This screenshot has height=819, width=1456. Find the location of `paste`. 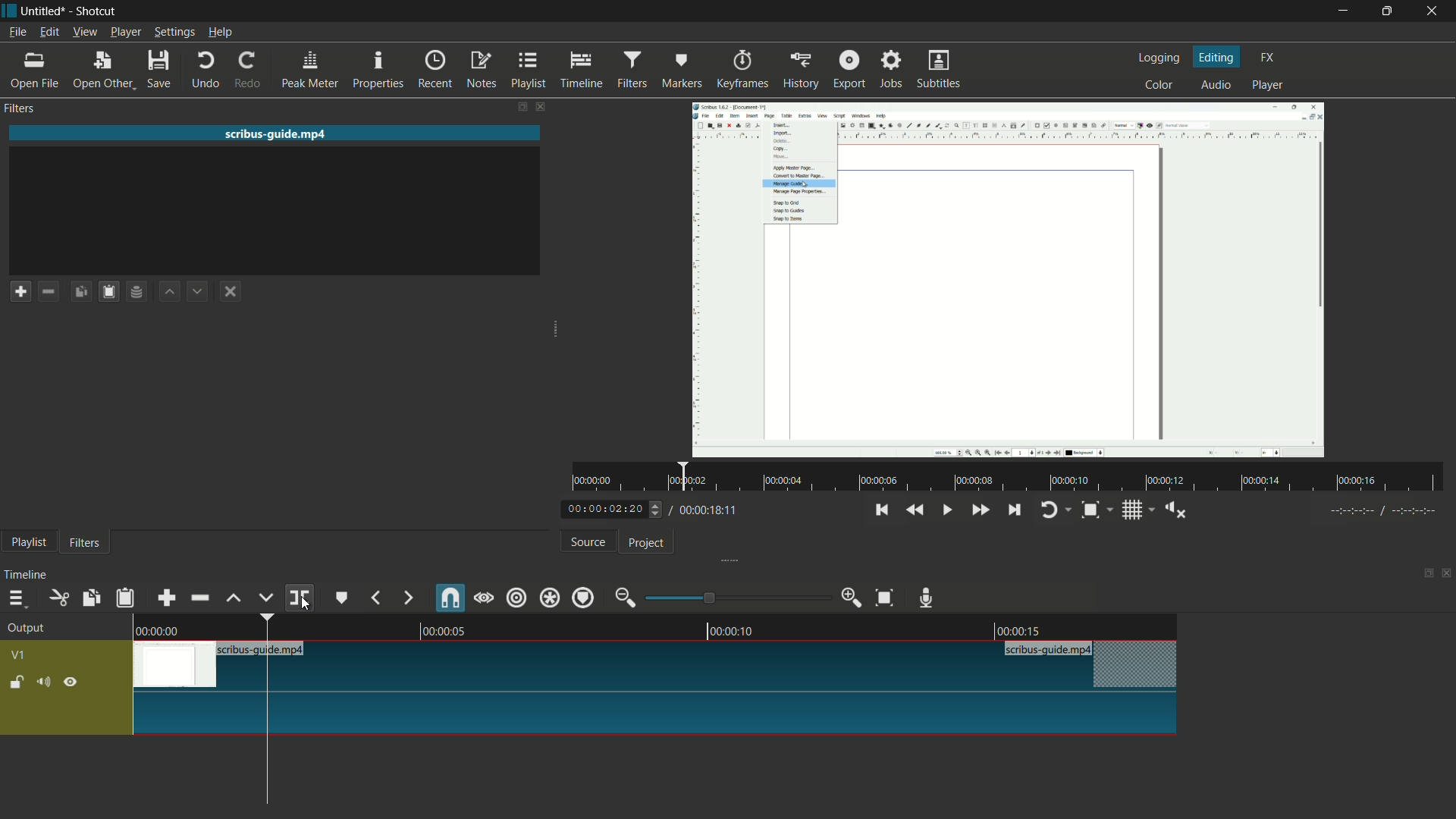

paste is located at coordinates (124, 600).